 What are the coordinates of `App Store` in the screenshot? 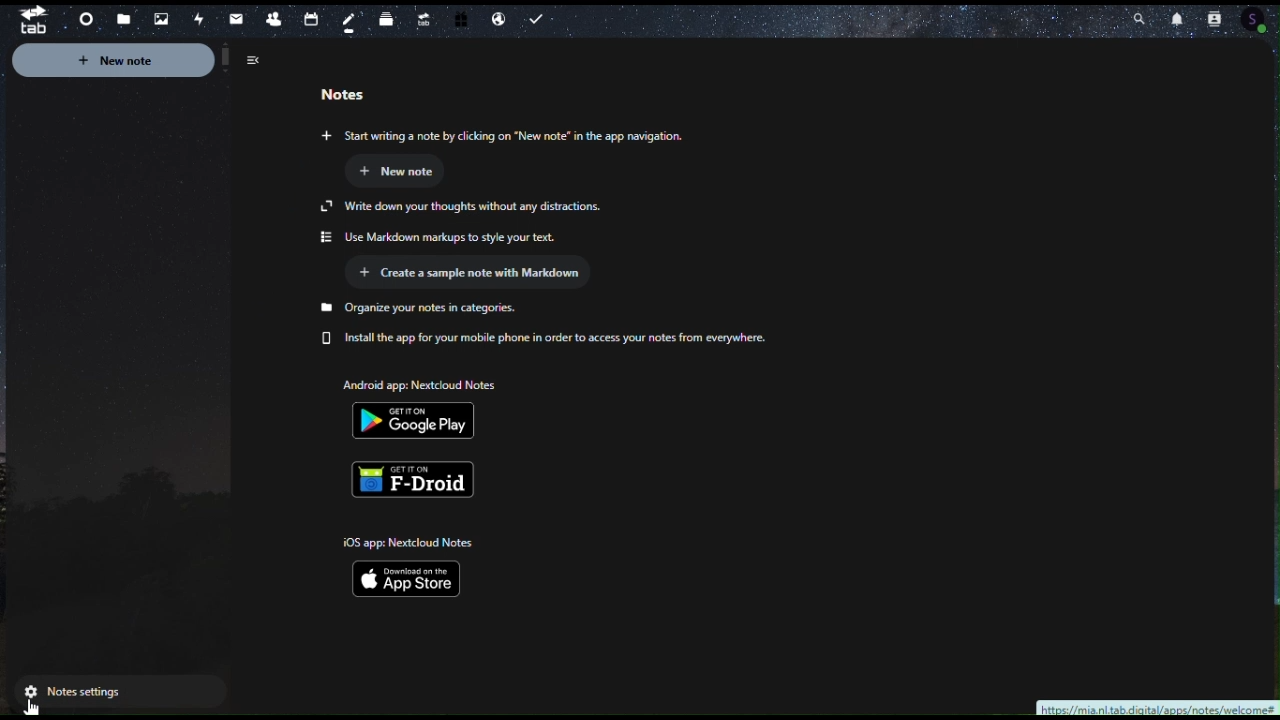 It's located at (418, 565).